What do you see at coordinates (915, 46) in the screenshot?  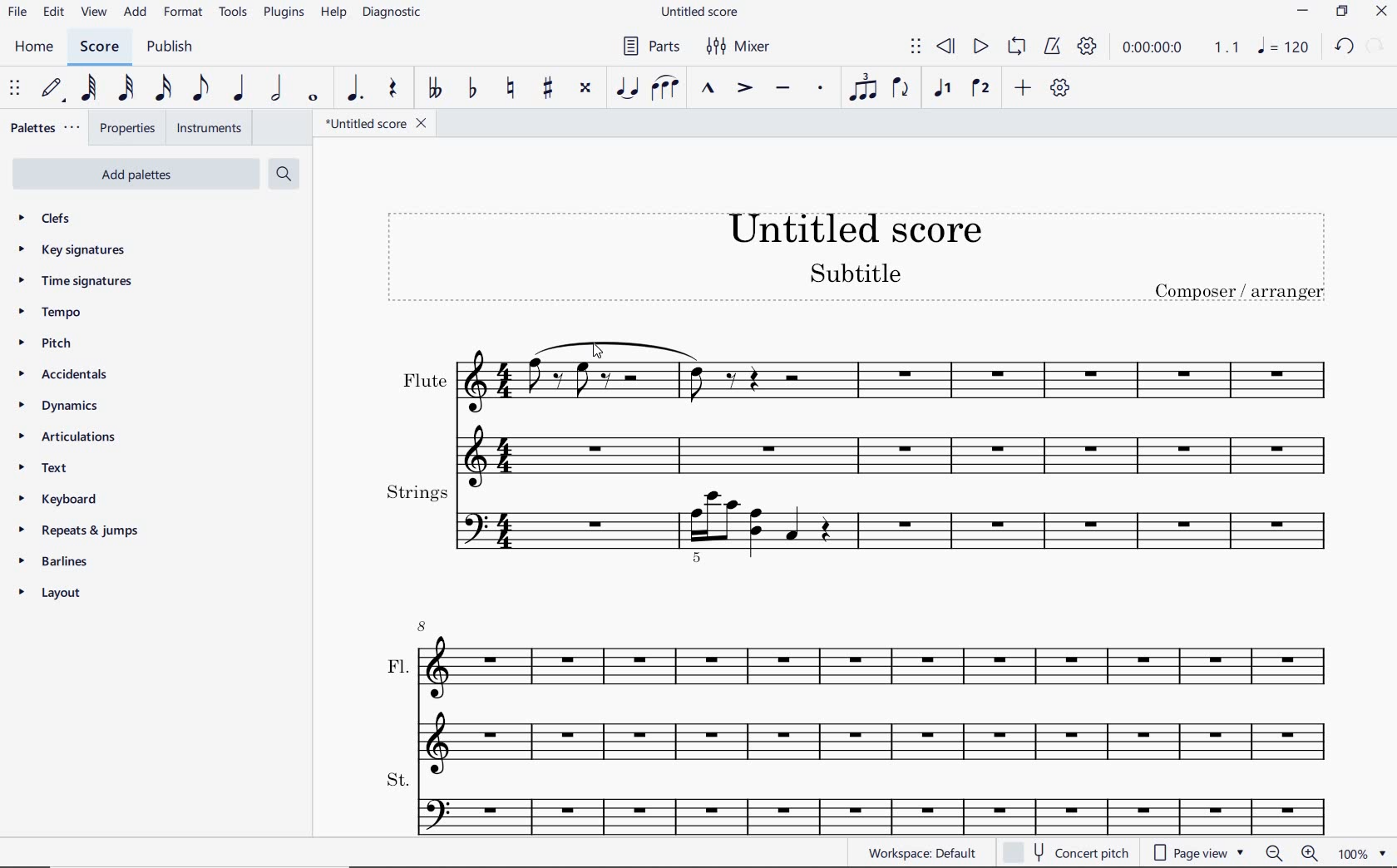 I see `SELECT TO MOVE` at bounding box center [915, 46].